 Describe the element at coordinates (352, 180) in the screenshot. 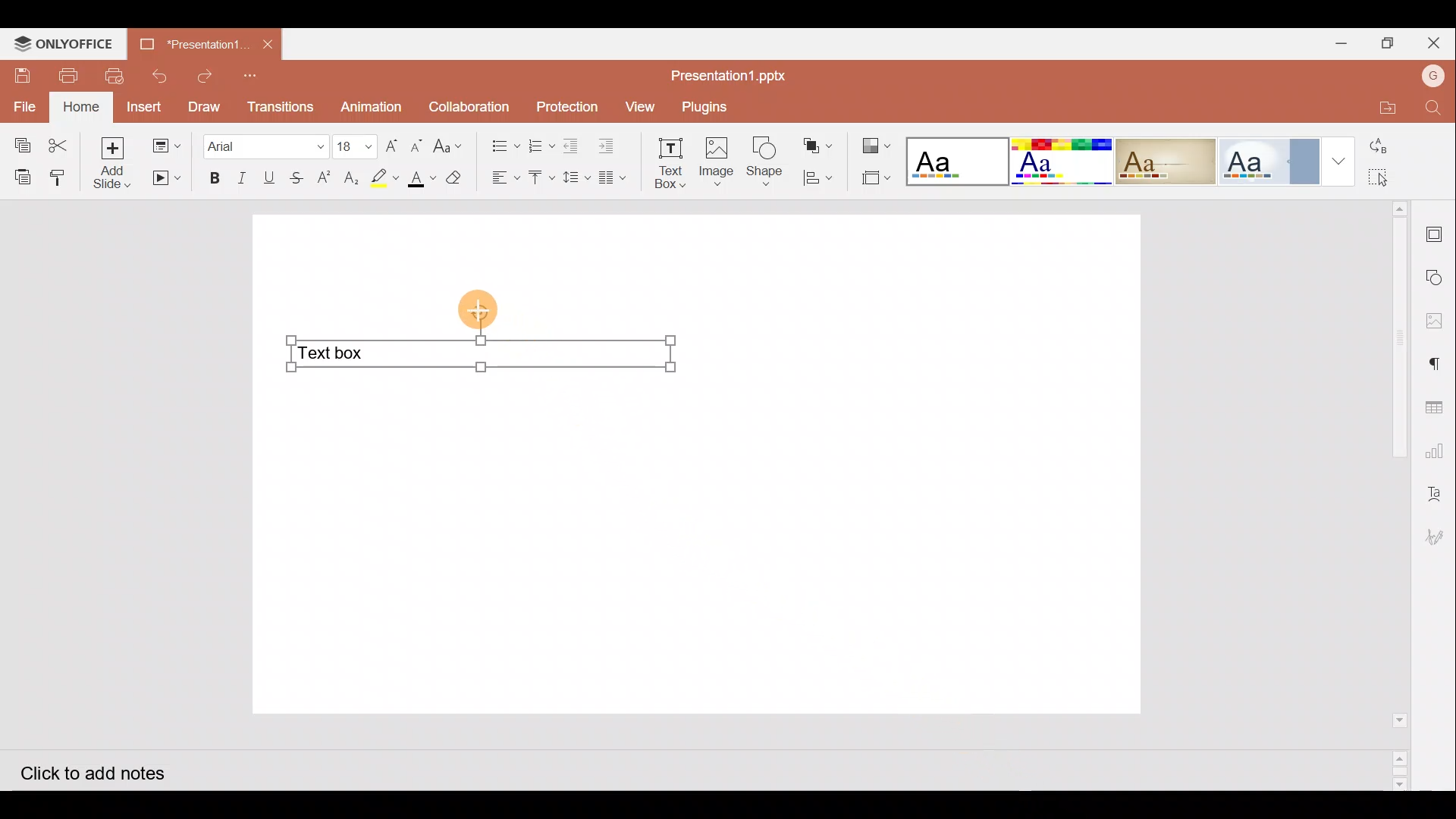

I see `Subscript` at that location.